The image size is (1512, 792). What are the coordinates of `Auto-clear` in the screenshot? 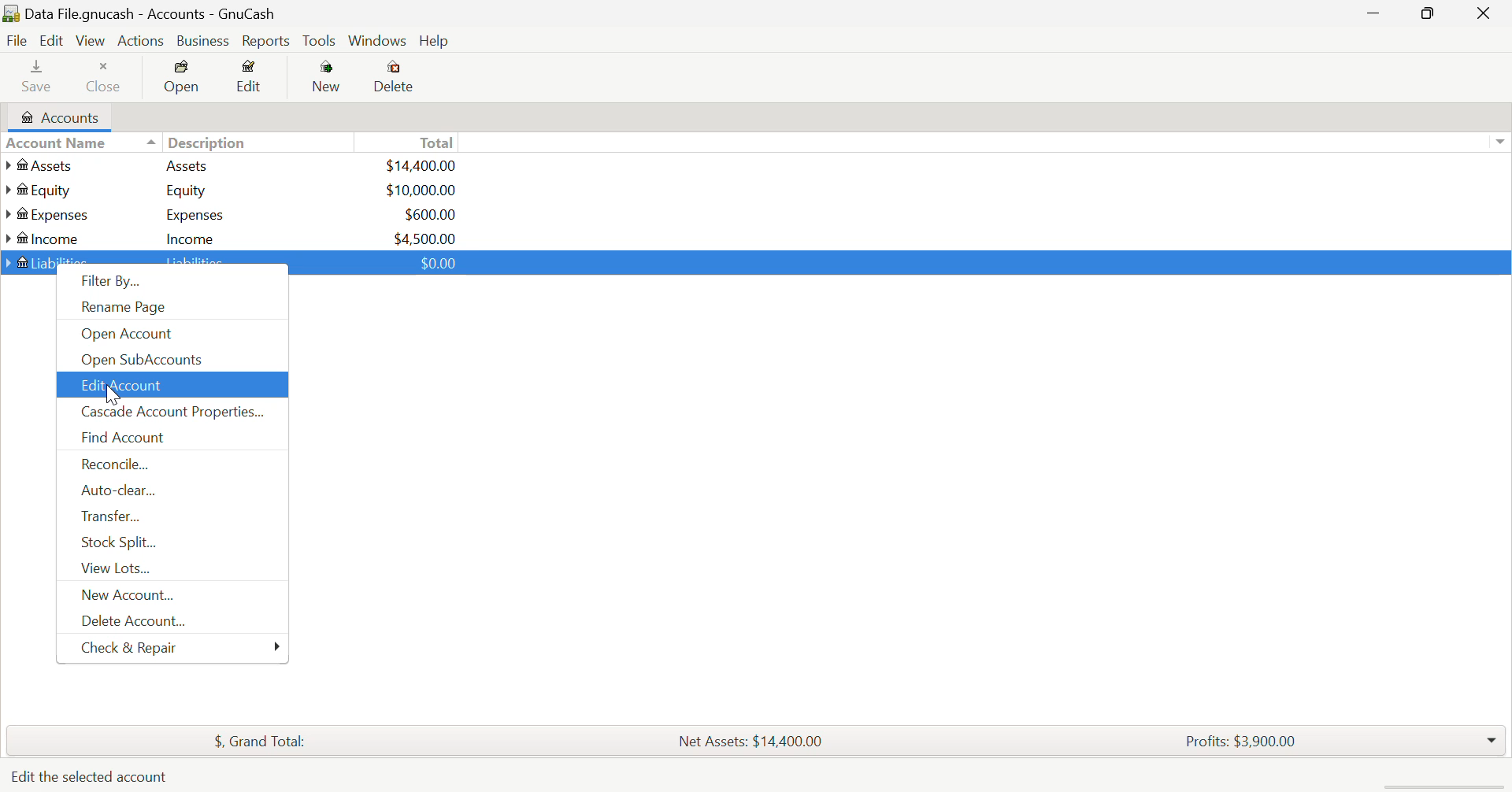 It's located at (169, 493).